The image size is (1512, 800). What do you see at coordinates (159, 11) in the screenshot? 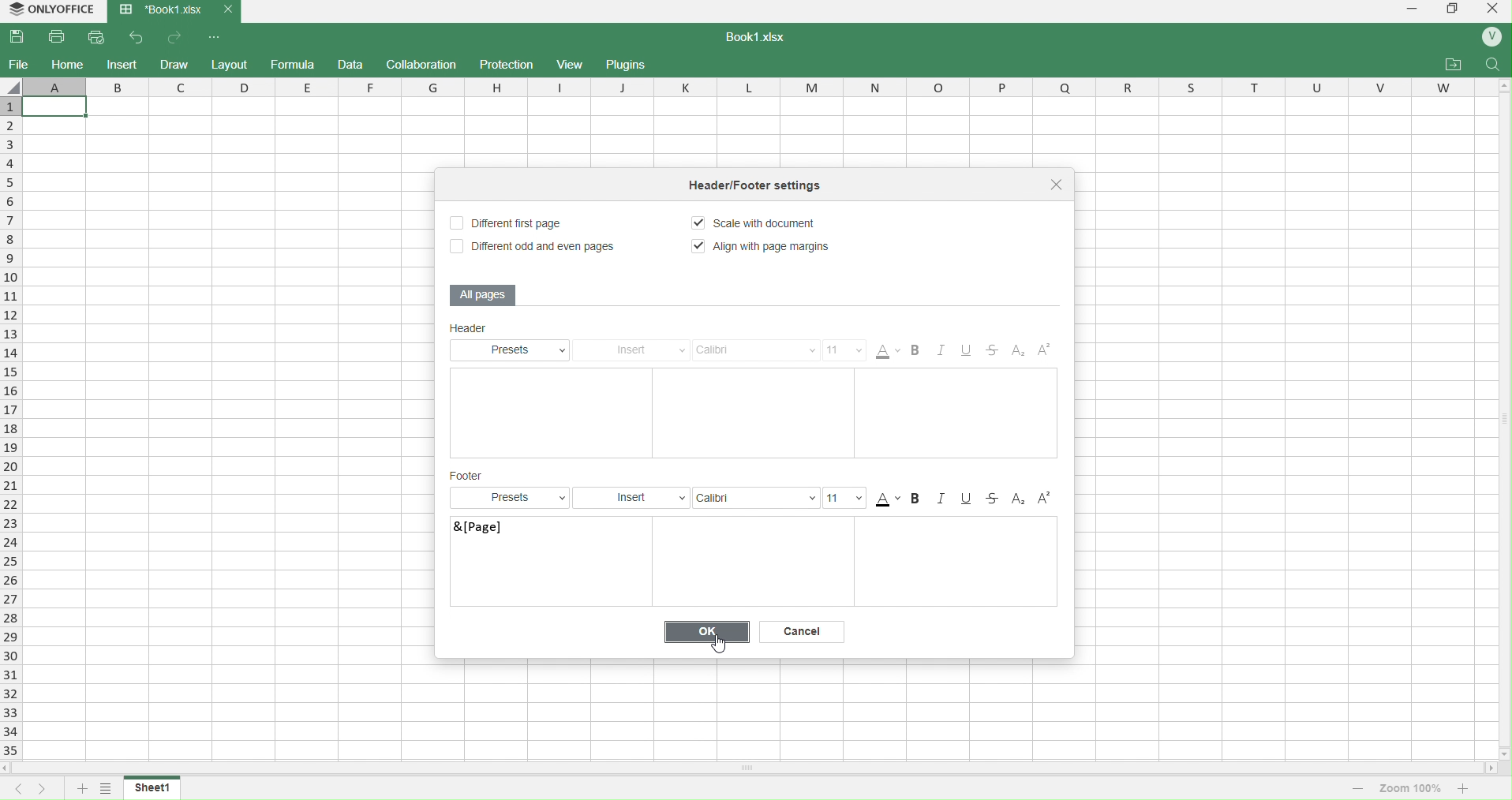
I see `Book1.xlsx` at bounding box center [159, 11].